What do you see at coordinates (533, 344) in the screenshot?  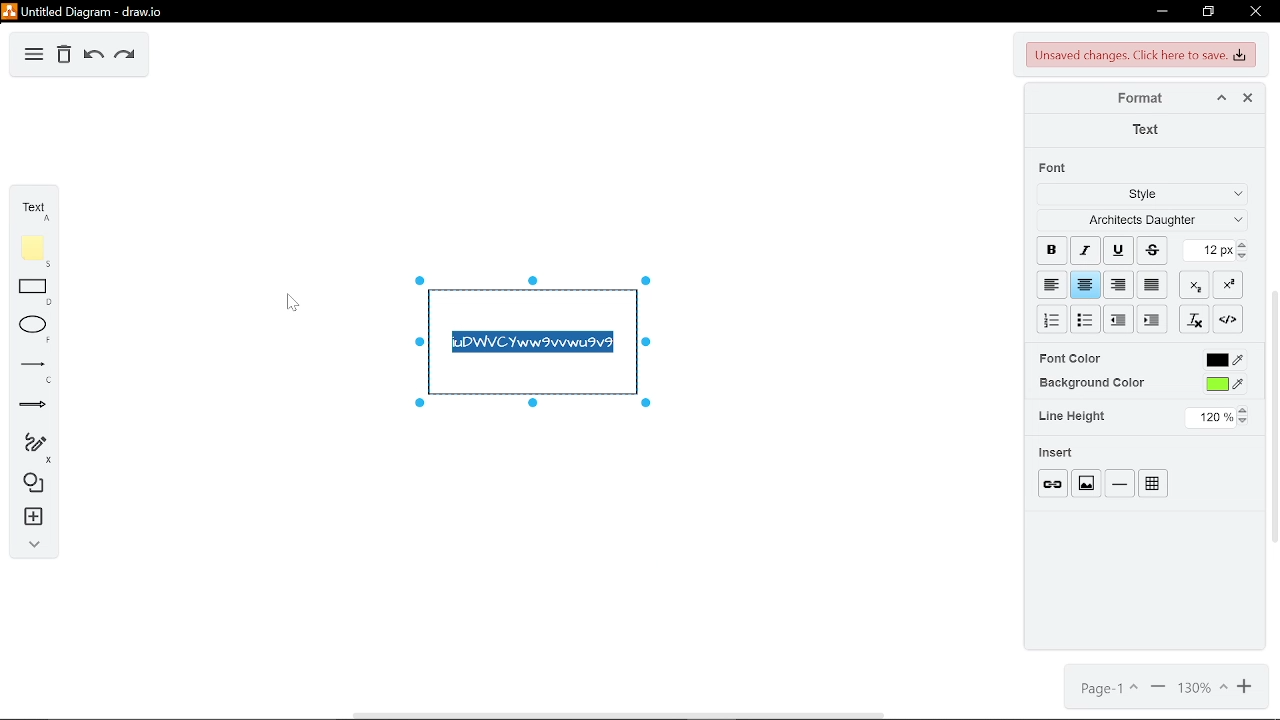 I see `iuDWVCYww9vvwu9v9` at bounding box center [533, 344].